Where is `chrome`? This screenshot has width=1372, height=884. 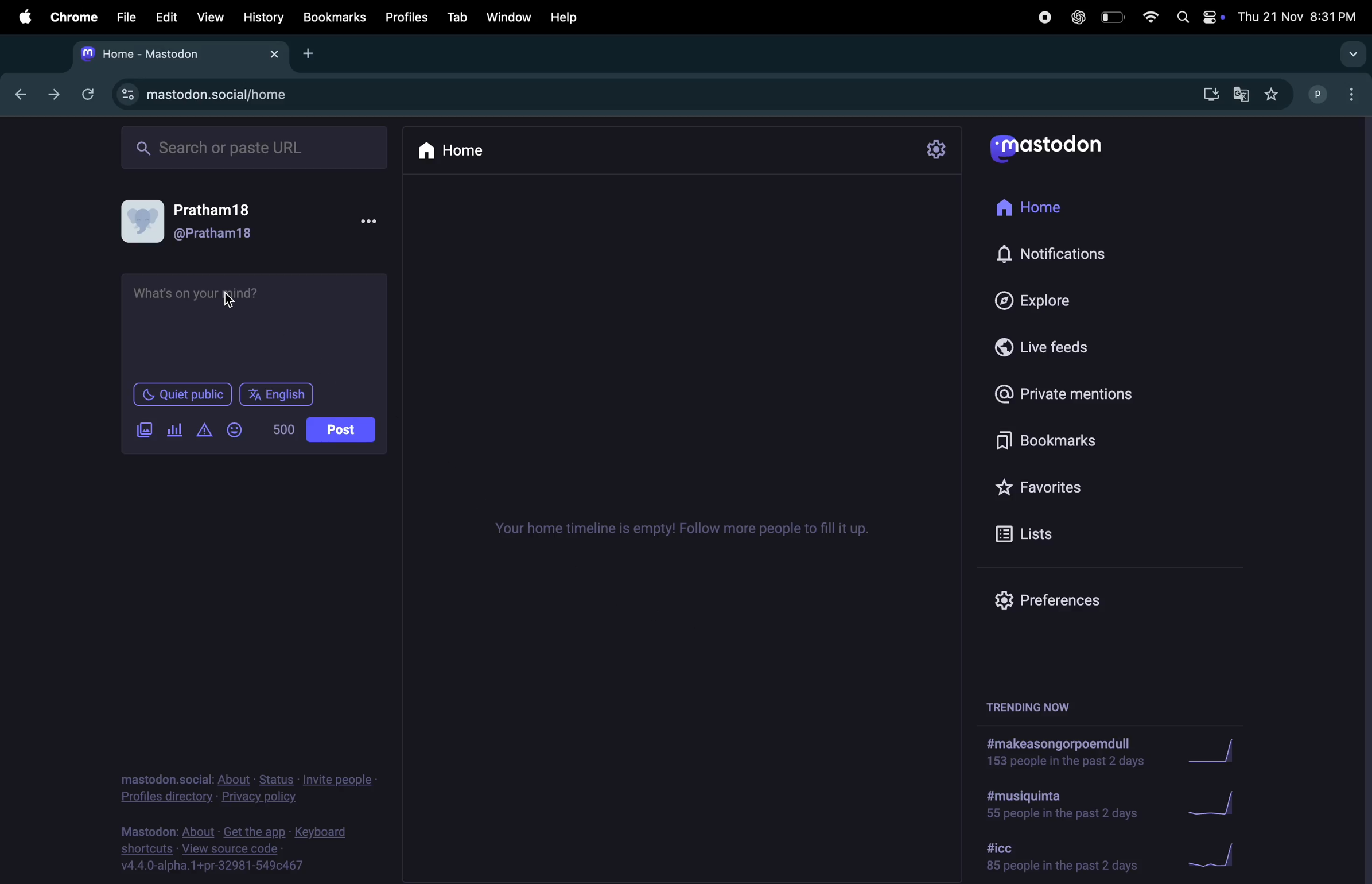
chrome is located at coordinates (74, 15).